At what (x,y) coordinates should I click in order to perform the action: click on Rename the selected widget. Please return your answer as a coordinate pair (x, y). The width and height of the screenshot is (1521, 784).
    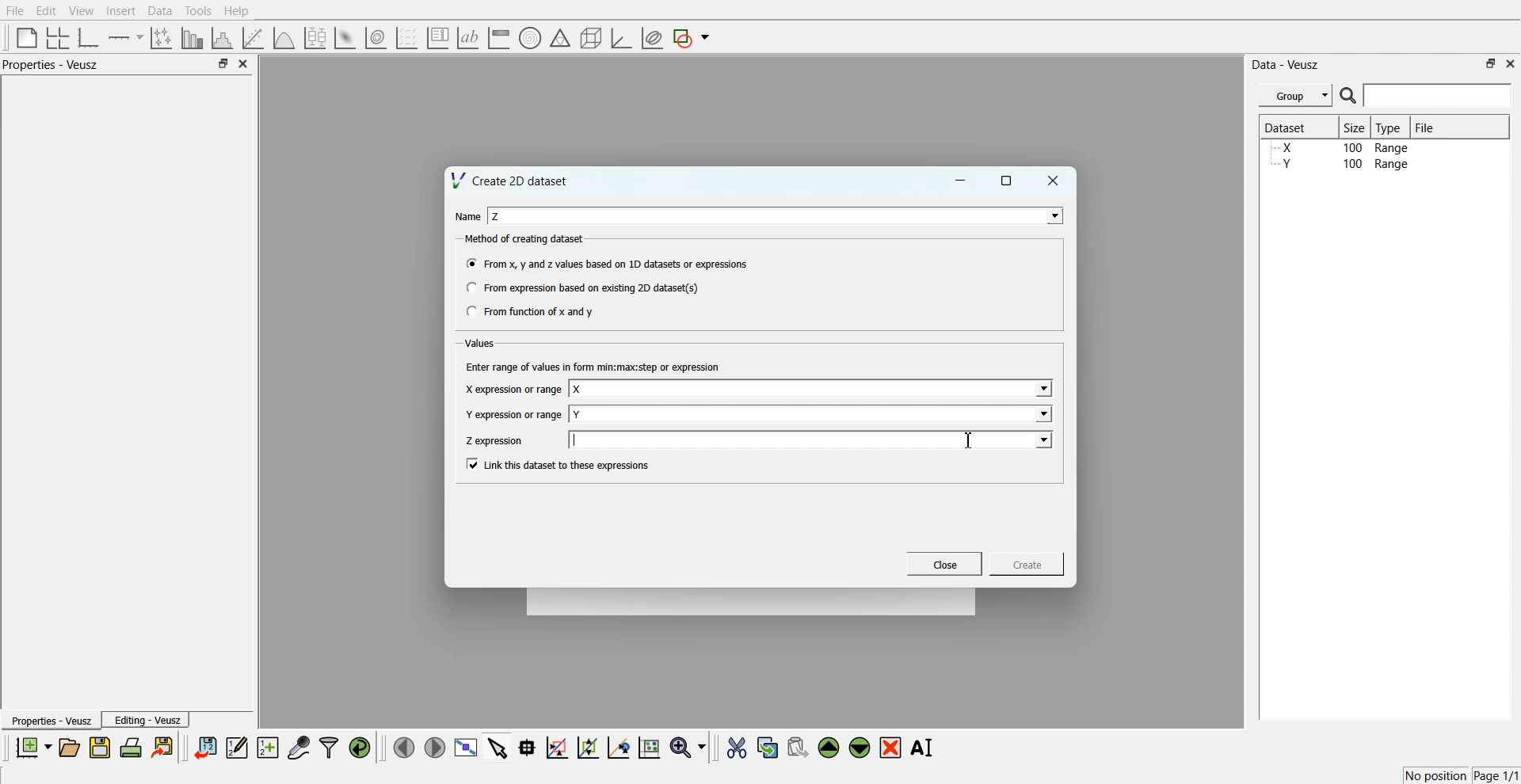
    Looking at the image, I should click on (924, 748).